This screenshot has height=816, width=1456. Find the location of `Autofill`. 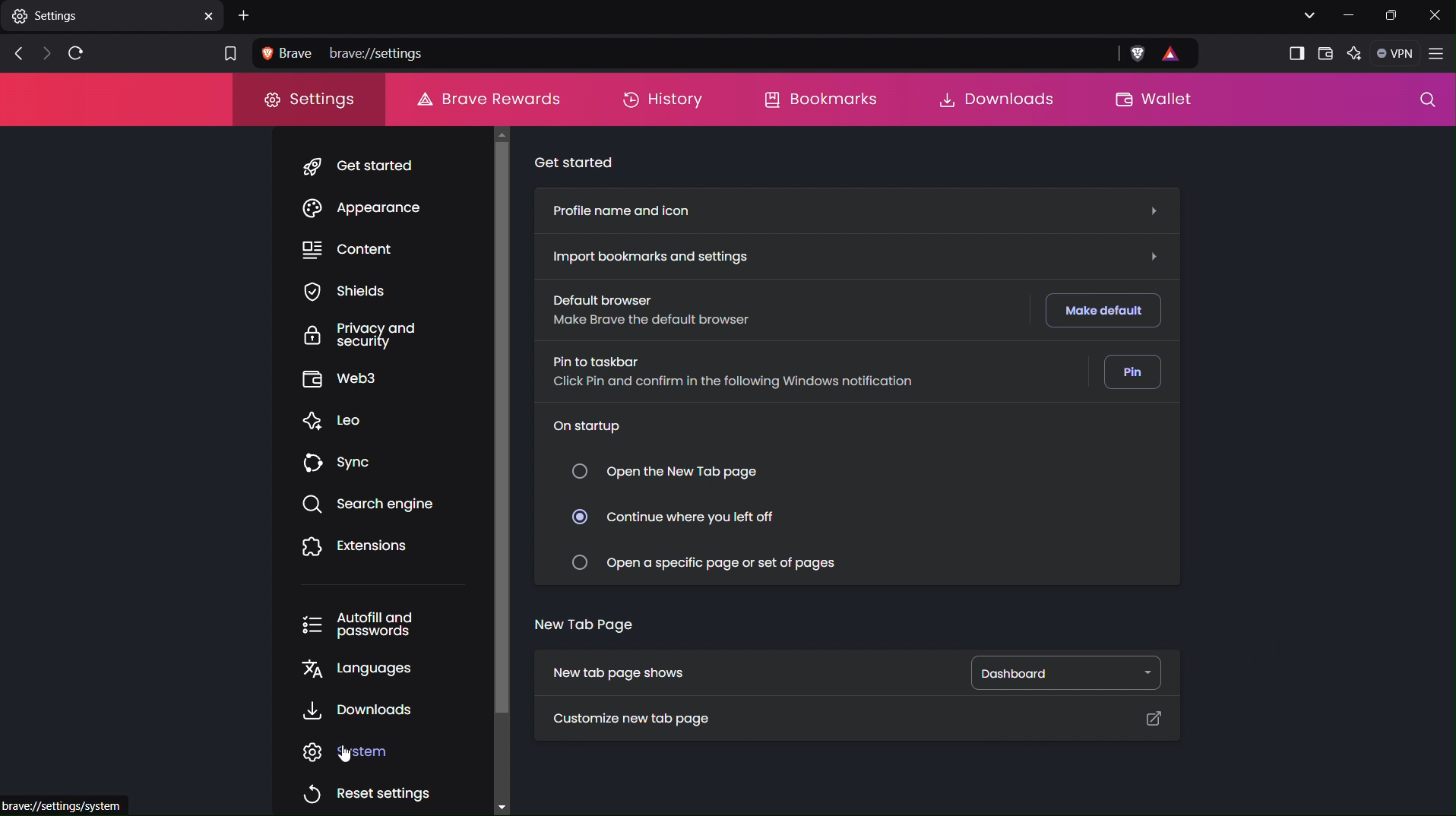

Autofill is located at coordinates (365, 625).